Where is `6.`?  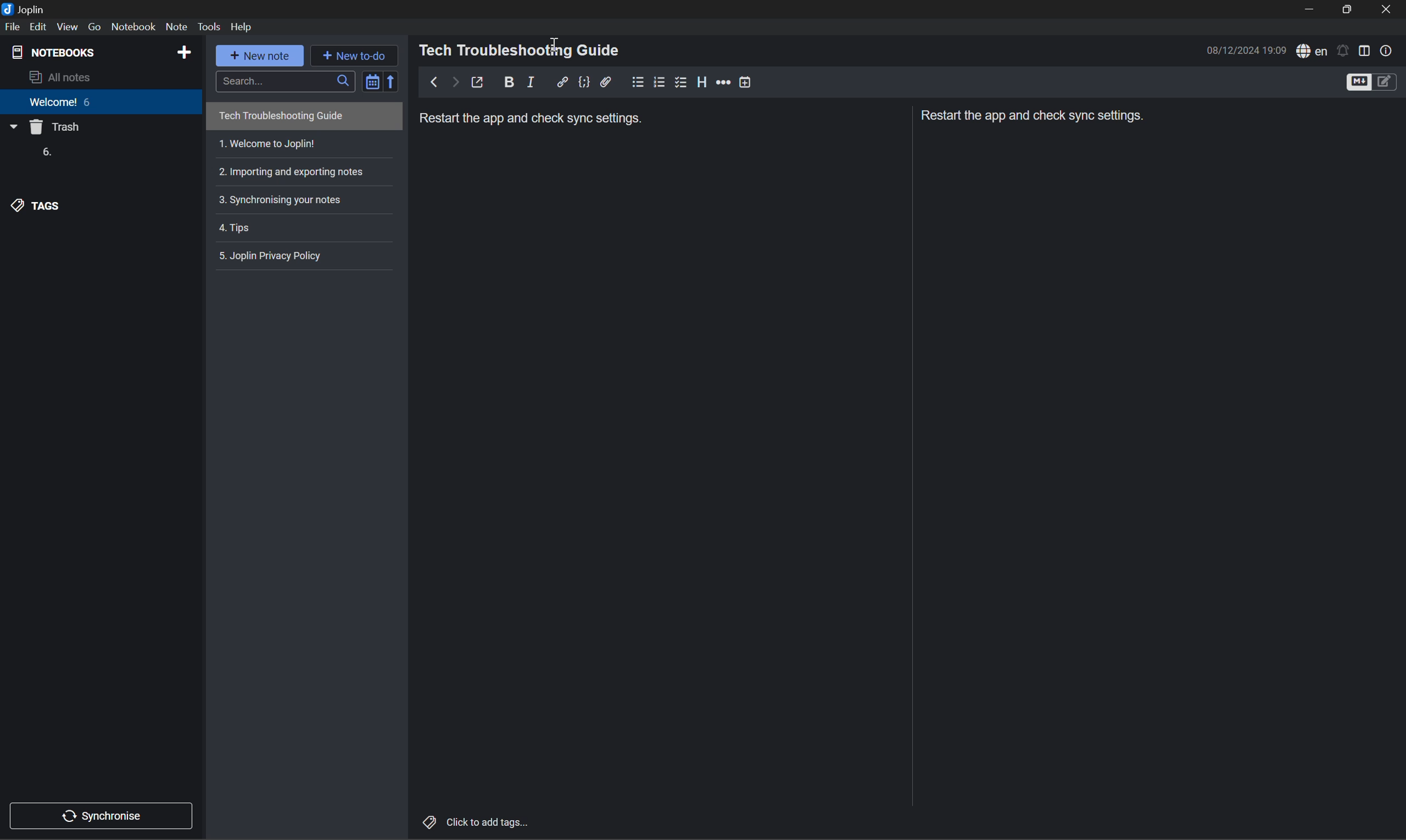
6. is located at coordinates (45, 153).